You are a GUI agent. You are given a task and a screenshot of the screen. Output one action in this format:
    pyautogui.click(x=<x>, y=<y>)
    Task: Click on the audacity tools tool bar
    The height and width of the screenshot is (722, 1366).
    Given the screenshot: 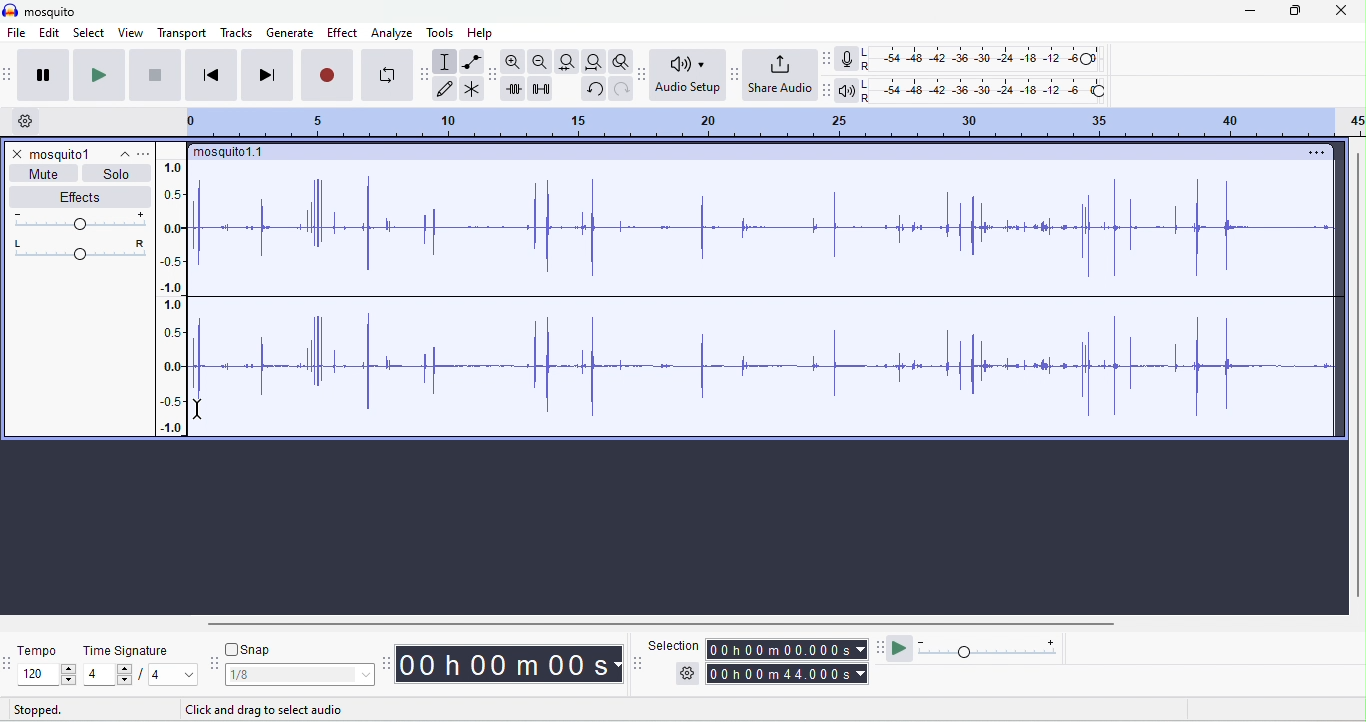 What is the action you would take?
    pyautogui.click(x=426, y=74)
    